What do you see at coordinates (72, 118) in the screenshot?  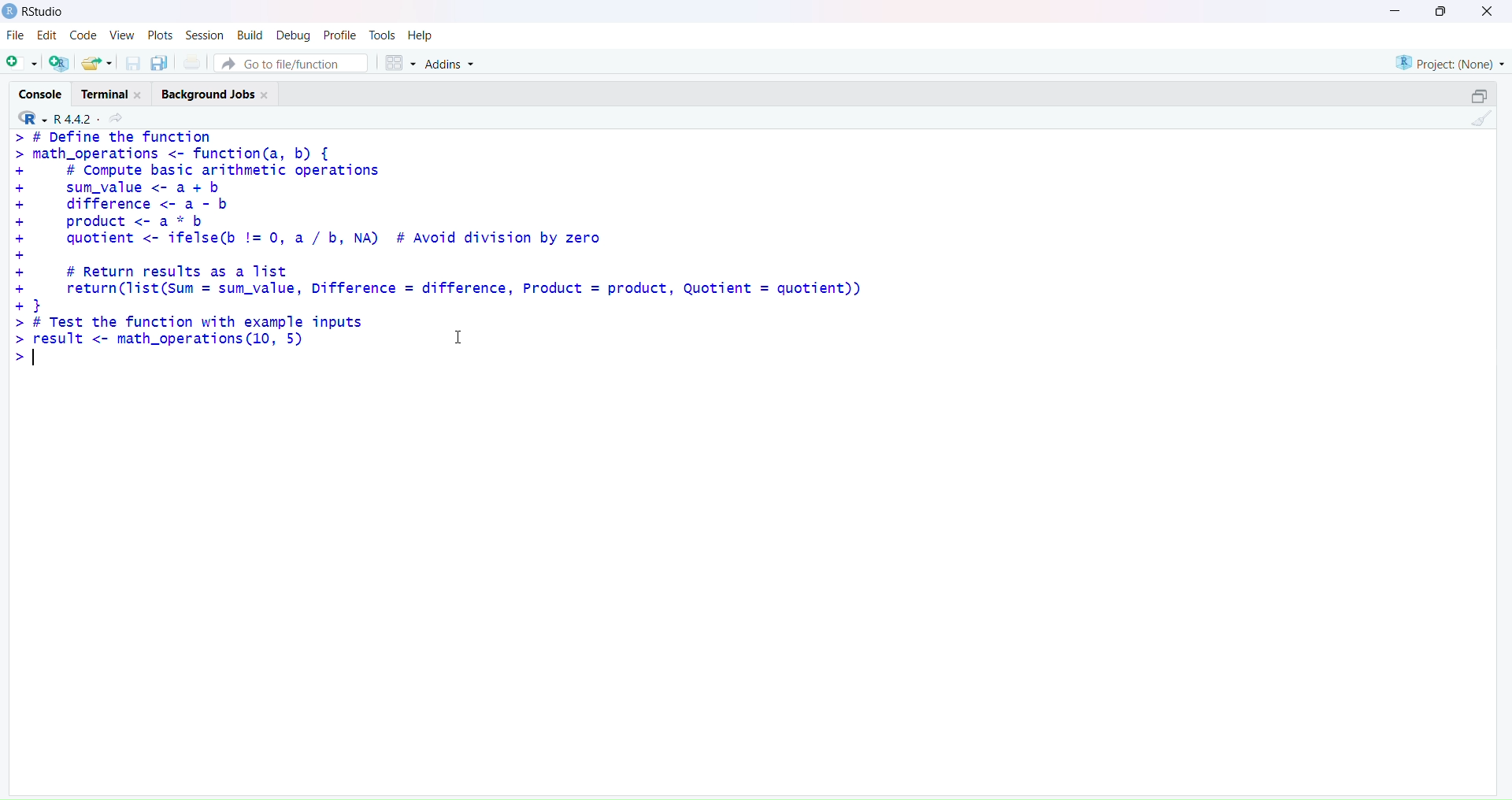 I see `R 4.4.2` at bounding box center [72, 118].